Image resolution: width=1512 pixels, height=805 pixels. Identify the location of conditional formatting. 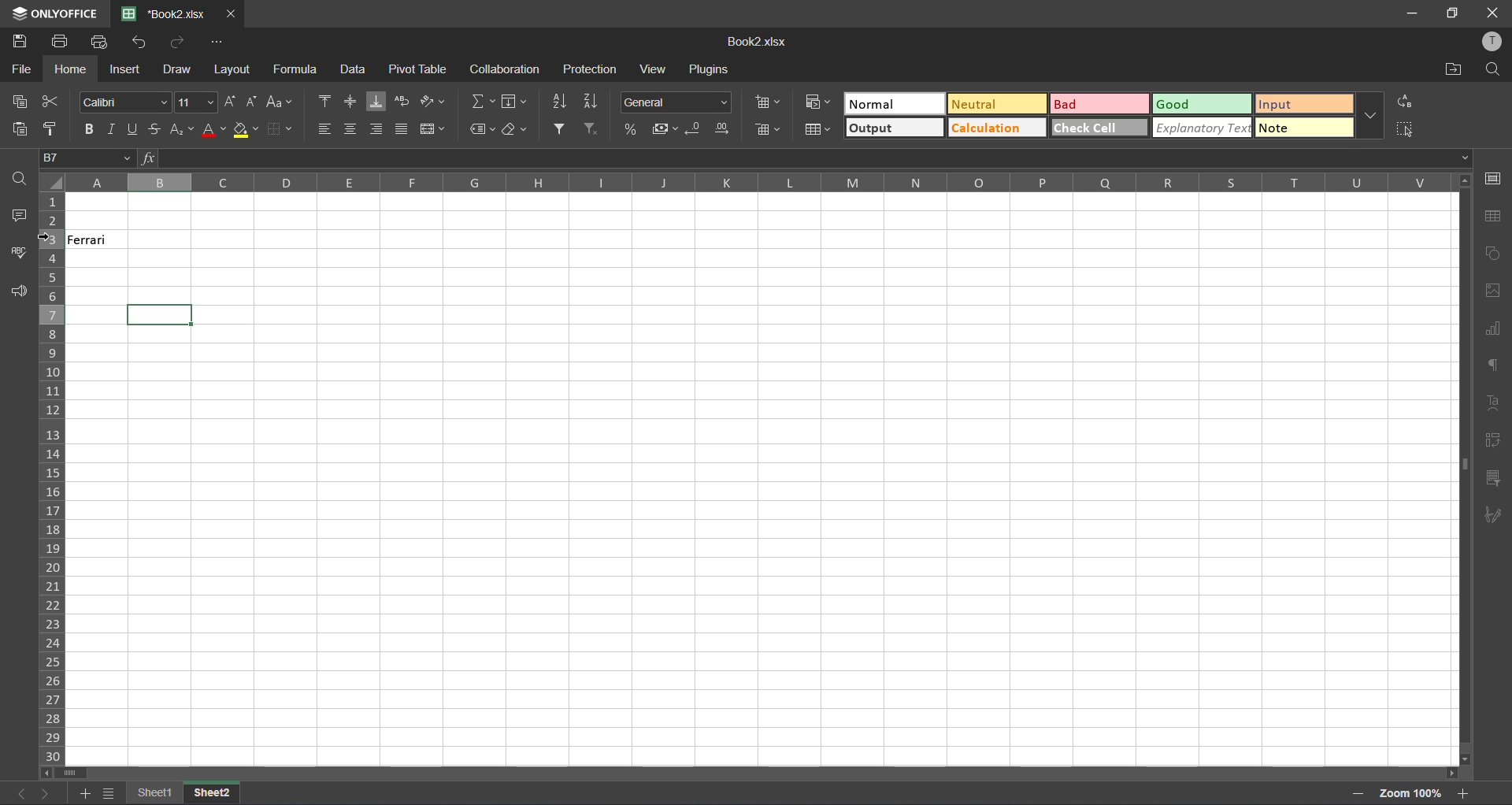
(822, 104).